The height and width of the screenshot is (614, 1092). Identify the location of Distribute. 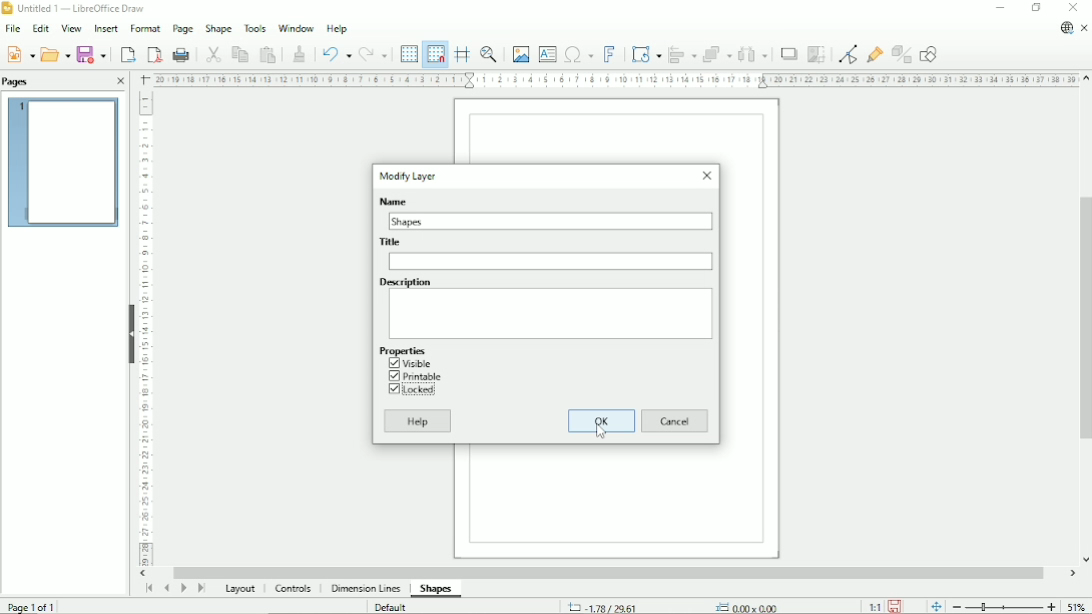
(753, 54).